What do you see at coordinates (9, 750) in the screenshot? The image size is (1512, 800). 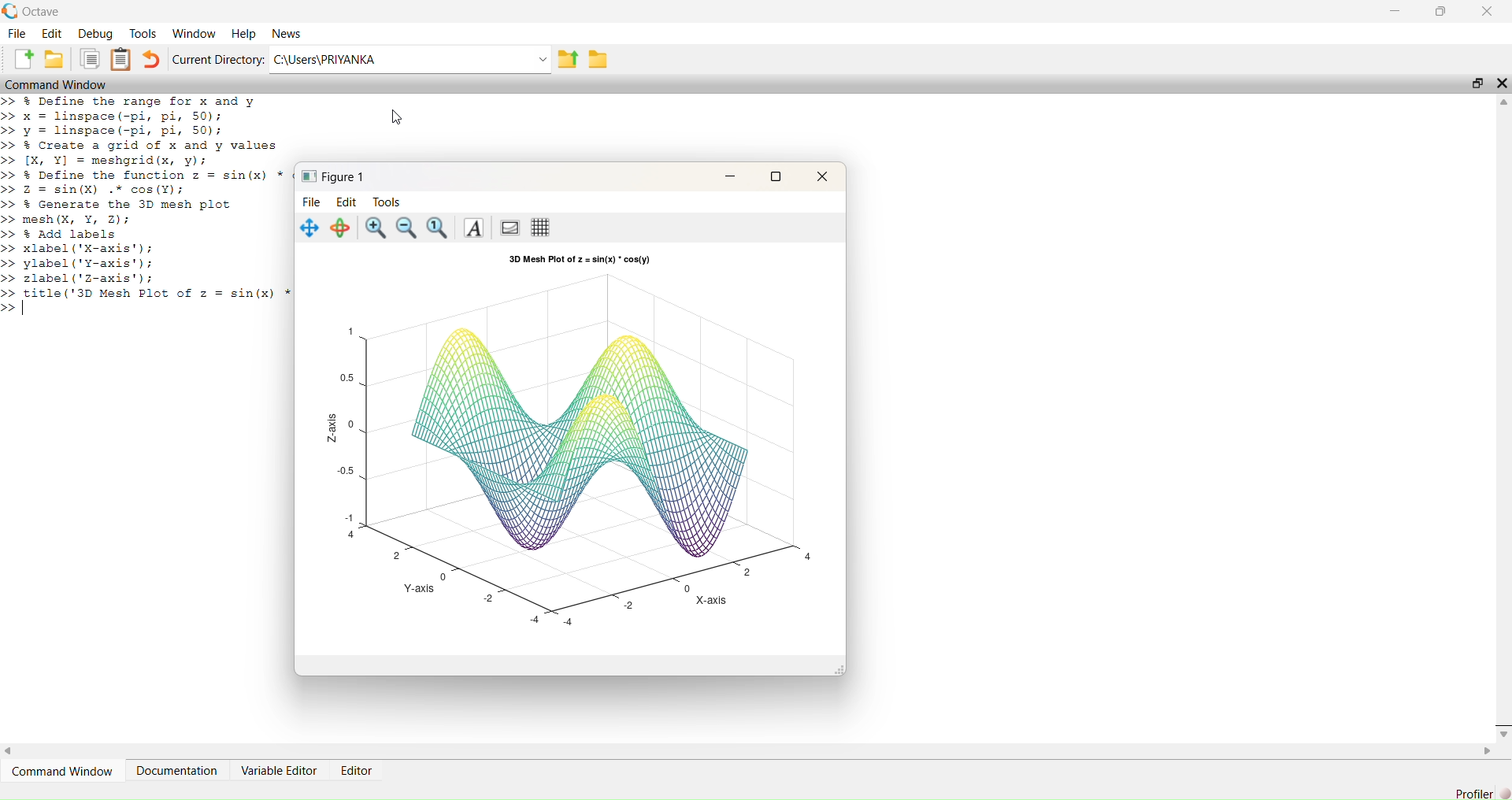 I see `Left` at bounding box center [9, 750].